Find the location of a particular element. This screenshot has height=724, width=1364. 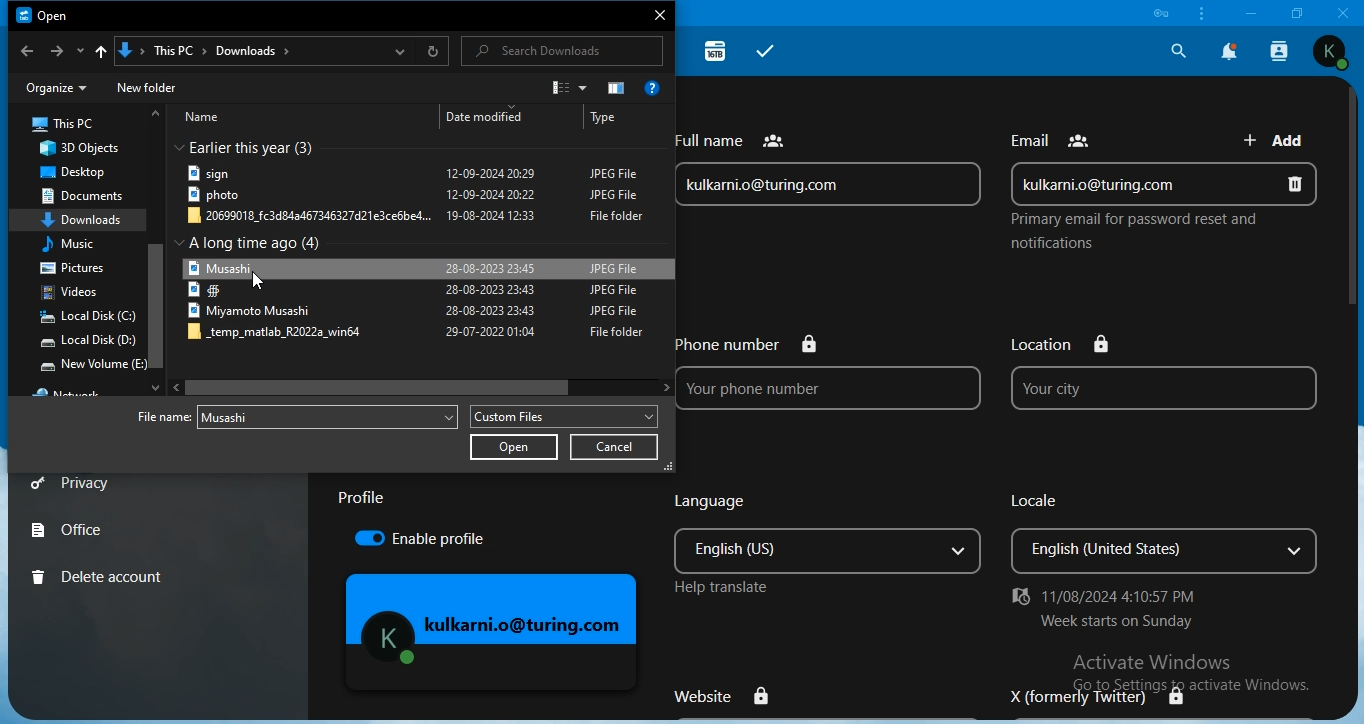

website is located at coordinates (731, 695).